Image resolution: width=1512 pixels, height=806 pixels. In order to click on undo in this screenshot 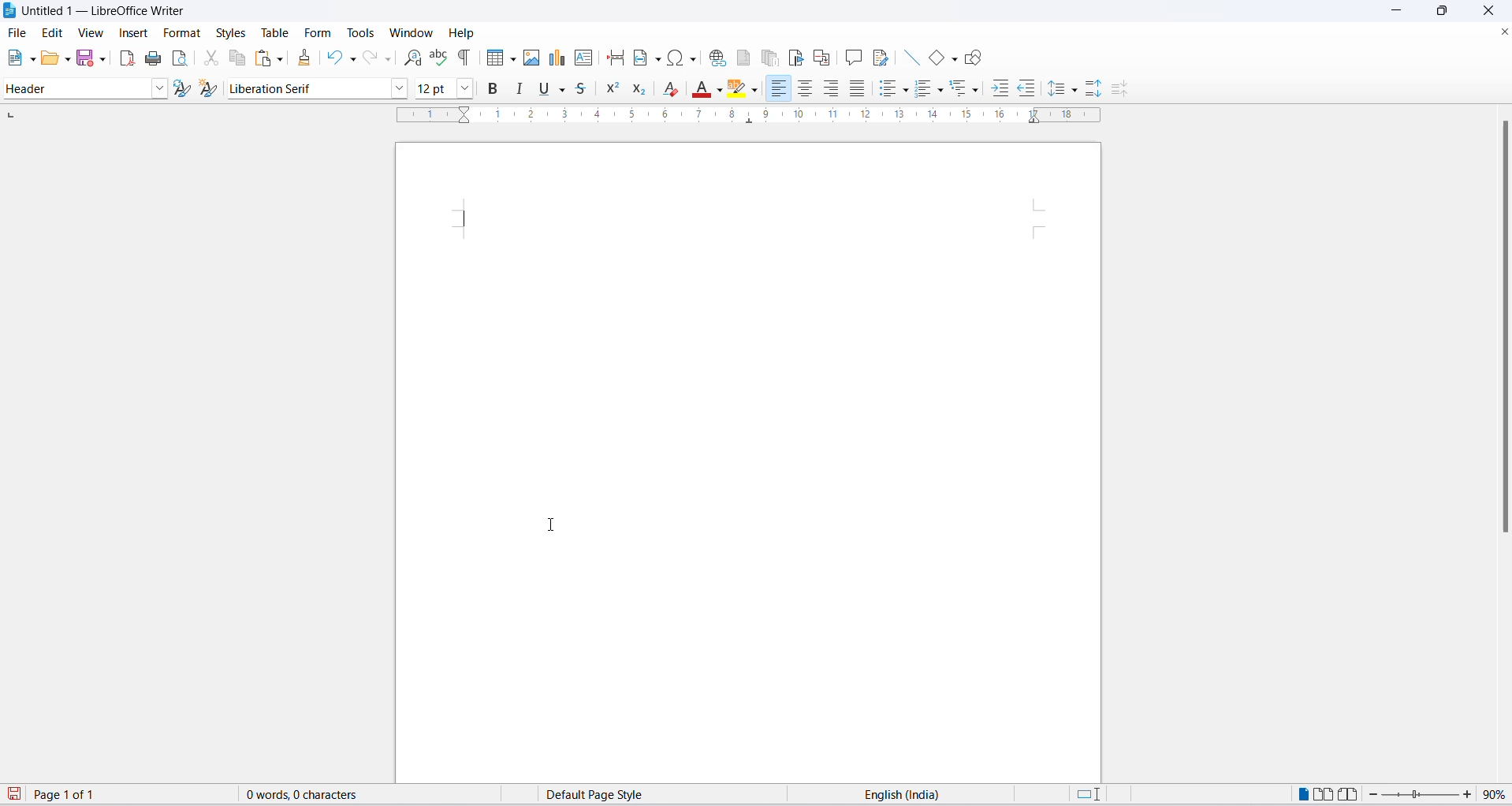, I will do `click(337, 58)`.